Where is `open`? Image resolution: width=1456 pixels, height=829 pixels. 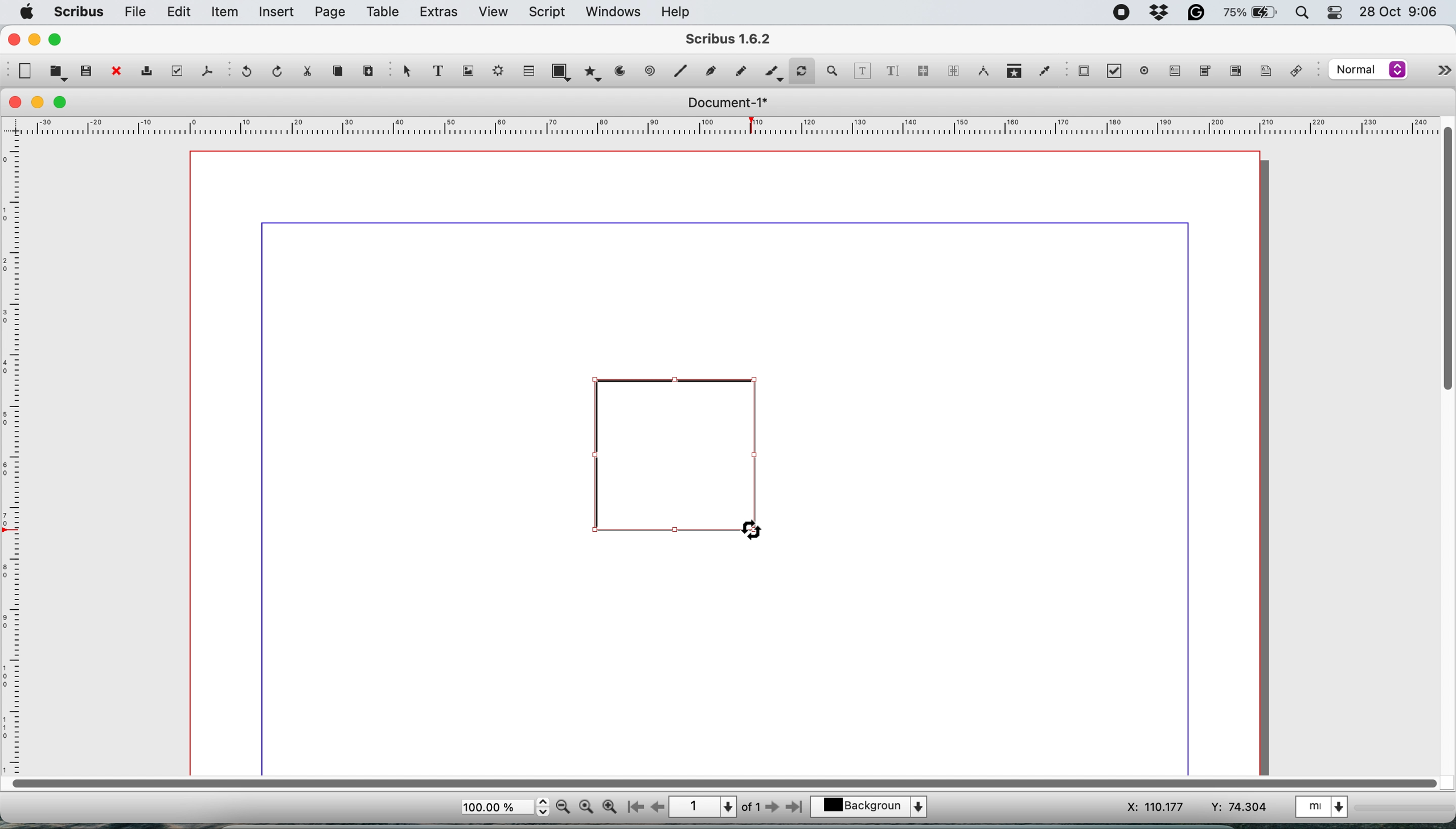
open is located at coordinates (56, 73).